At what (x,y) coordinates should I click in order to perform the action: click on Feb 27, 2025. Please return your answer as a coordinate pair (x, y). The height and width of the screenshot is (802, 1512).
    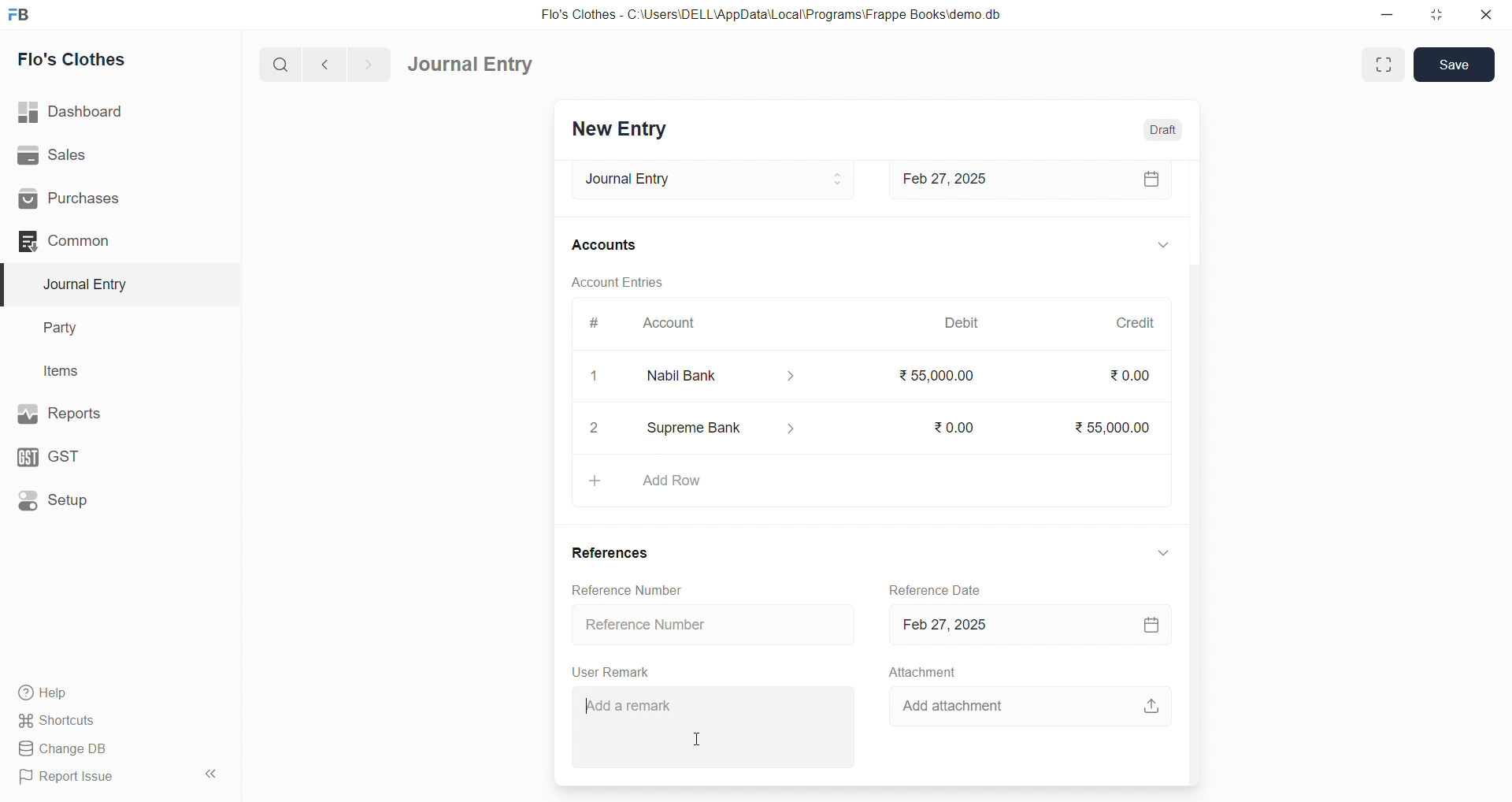
    Looking at the image, I should click on (1032, 181).